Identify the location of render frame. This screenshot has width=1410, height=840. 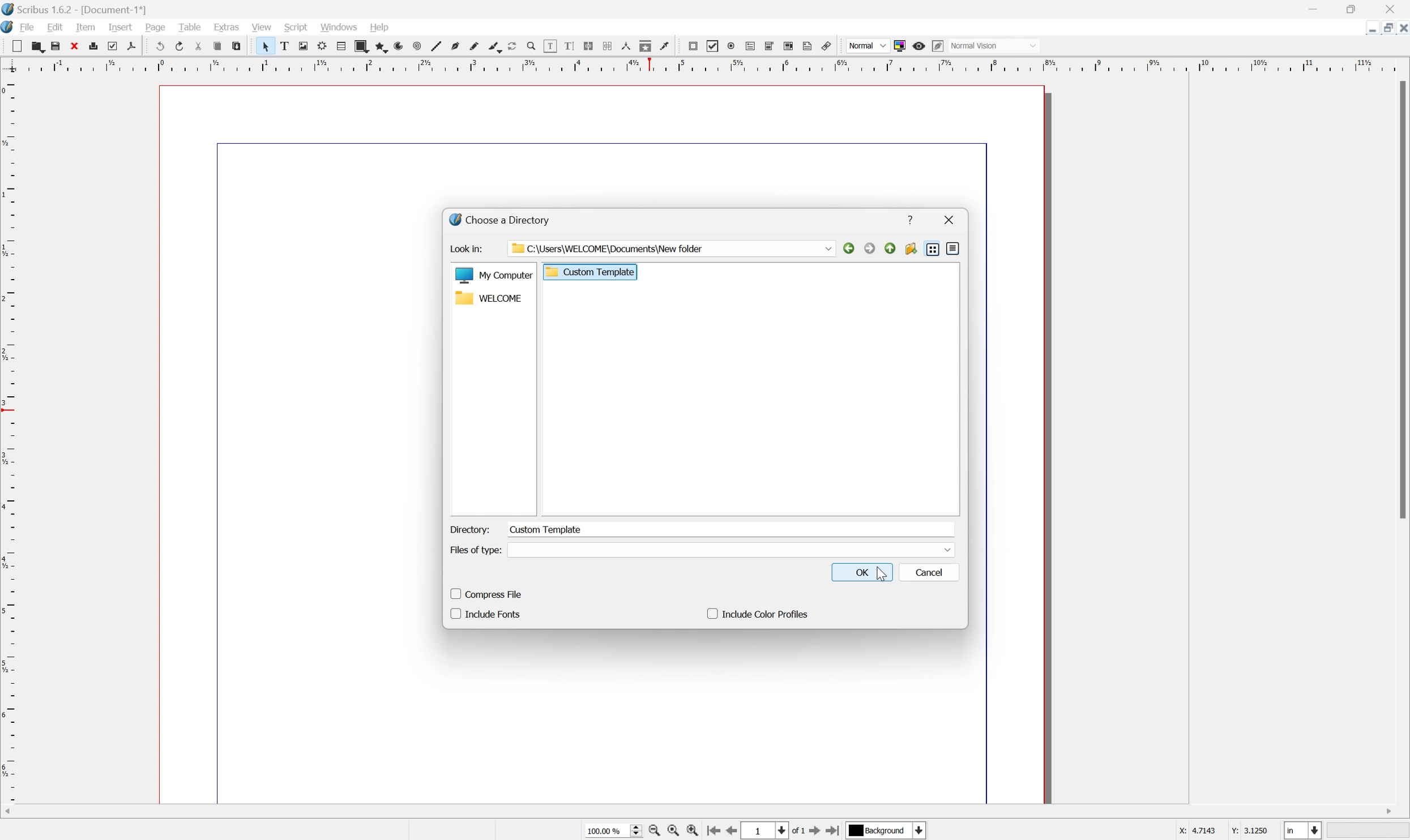
(322, 46).